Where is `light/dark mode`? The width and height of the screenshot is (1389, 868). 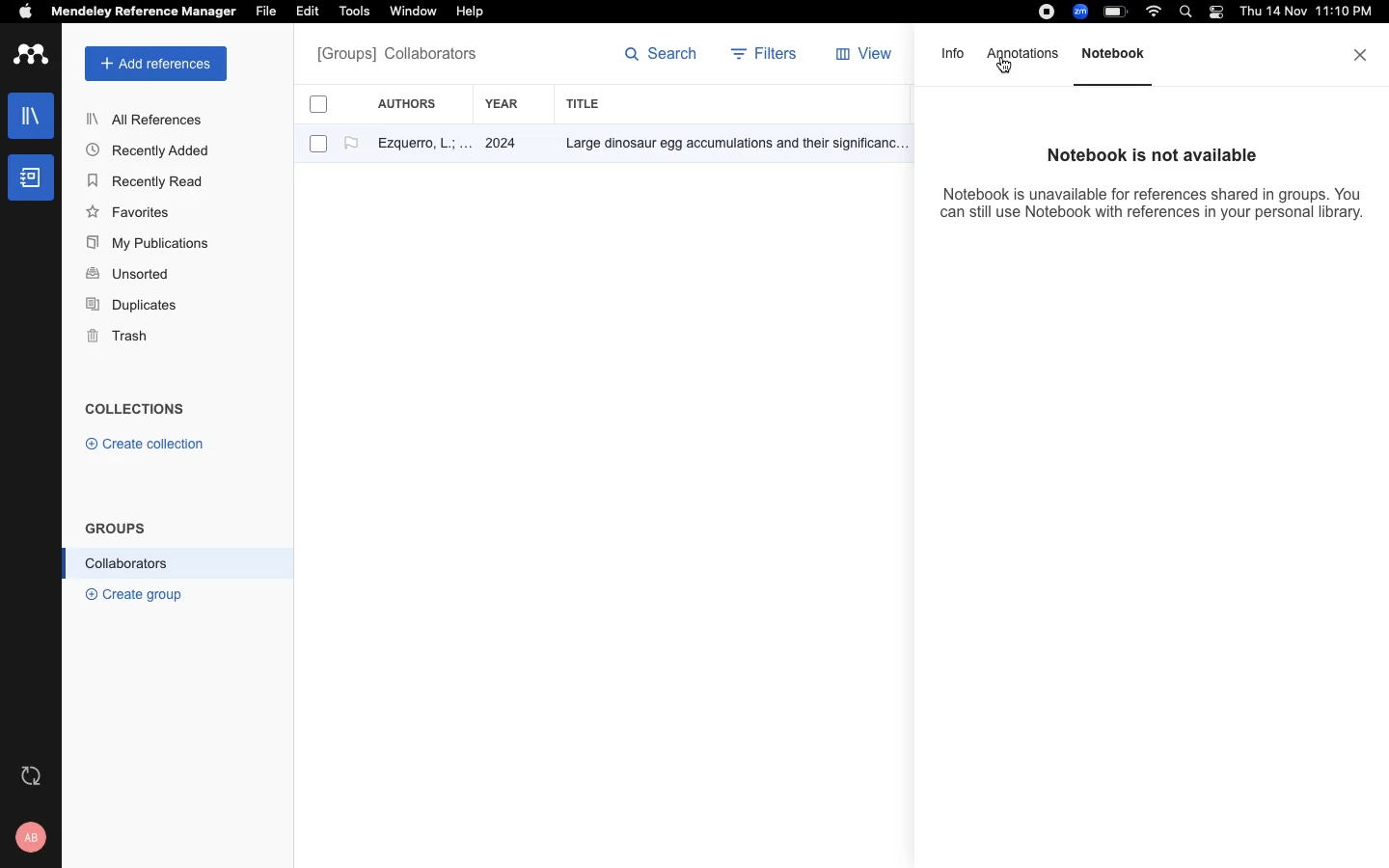 light/dark mode is located at coordinates (1215, 12).